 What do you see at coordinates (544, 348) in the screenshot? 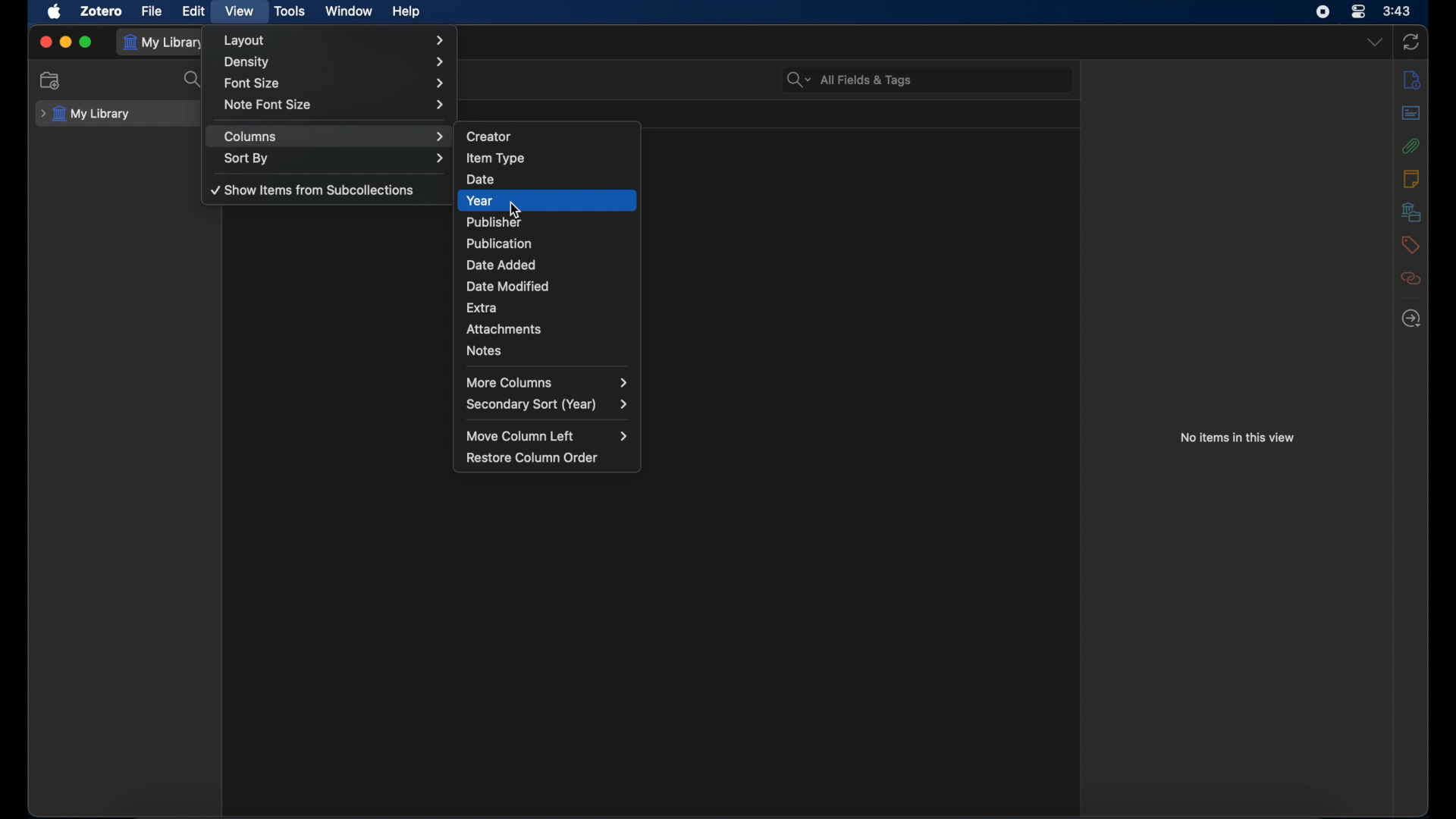
I see `notes` at bounding box center [544, 348].